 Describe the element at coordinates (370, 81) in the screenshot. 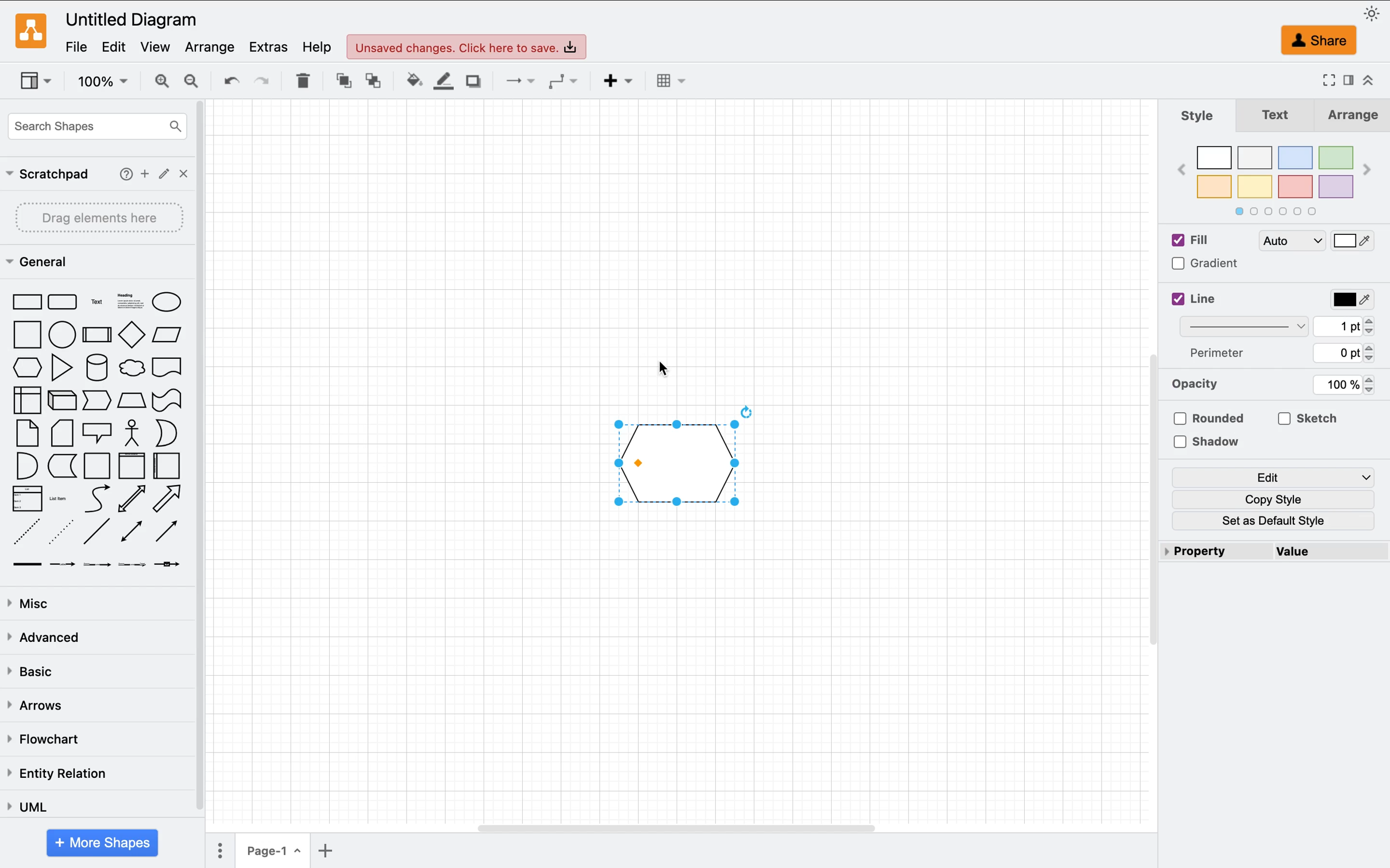

I see `to back` at that location.